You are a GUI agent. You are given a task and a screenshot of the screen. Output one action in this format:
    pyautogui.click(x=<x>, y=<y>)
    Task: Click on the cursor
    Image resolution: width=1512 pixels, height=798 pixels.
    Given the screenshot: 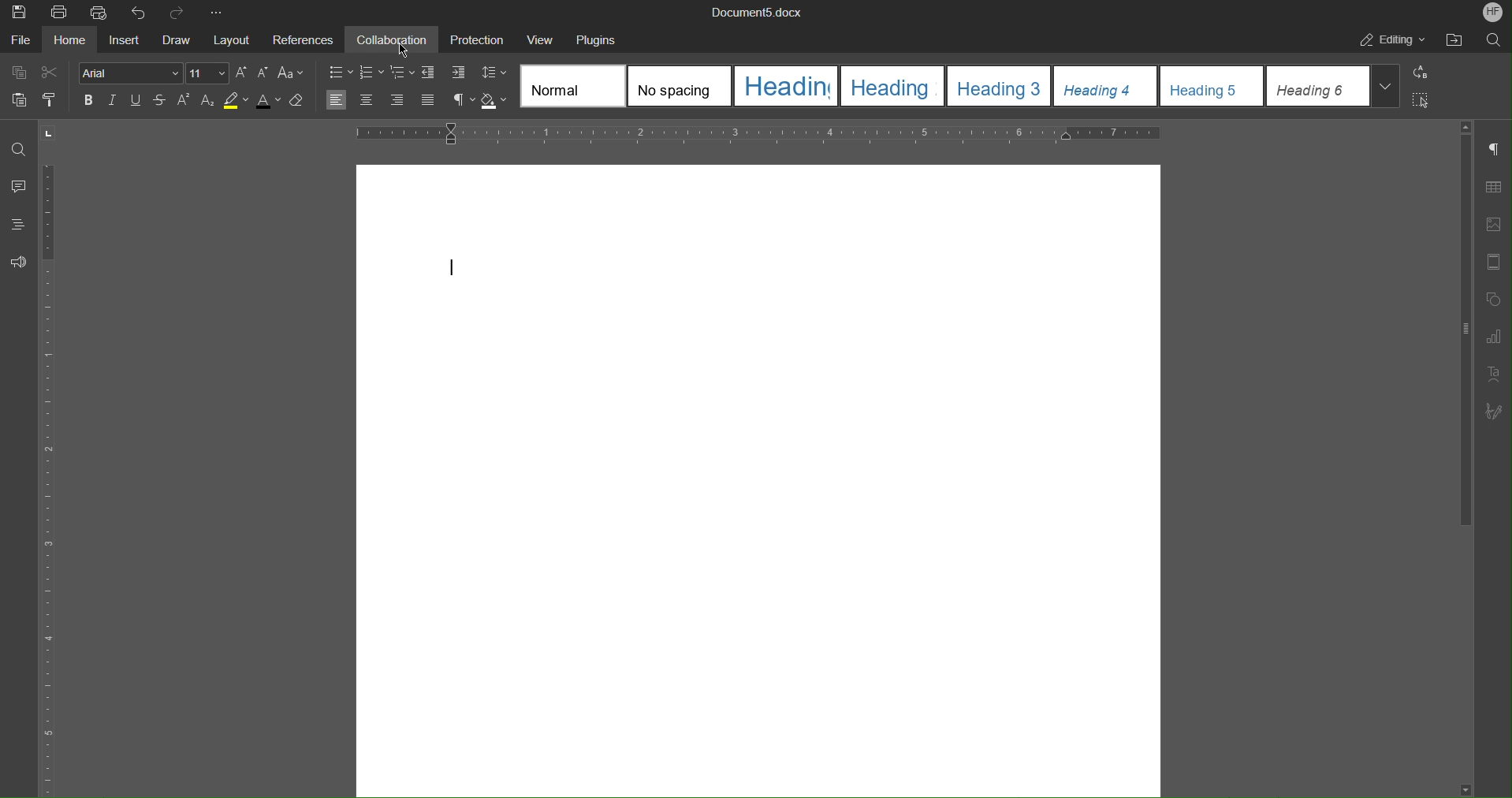 What is the action you would take?
    pyautogui.click(x=403, y=50)
    